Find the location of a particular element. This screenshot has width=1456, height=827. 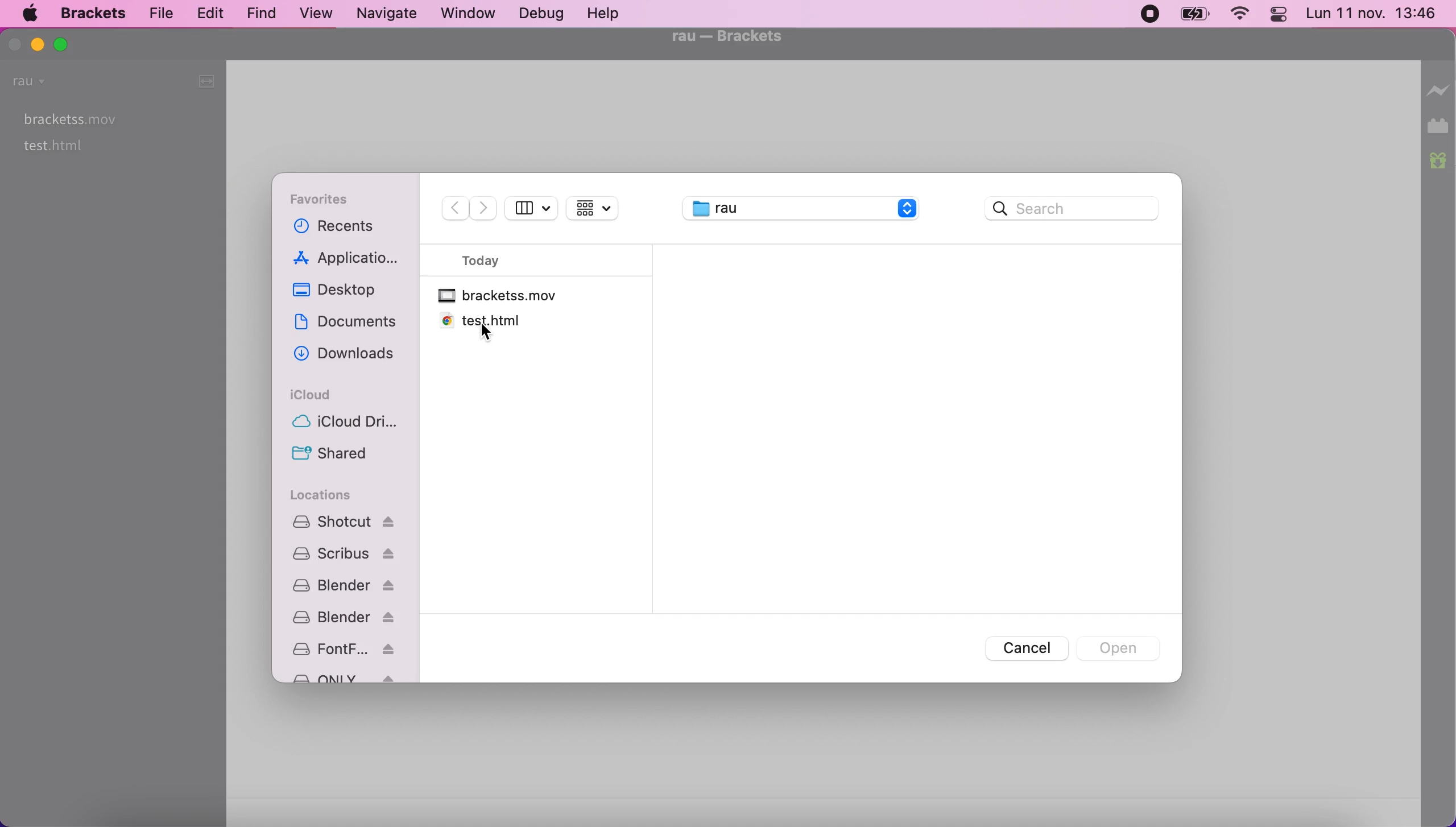

debug is located at coordinates (544, 13).